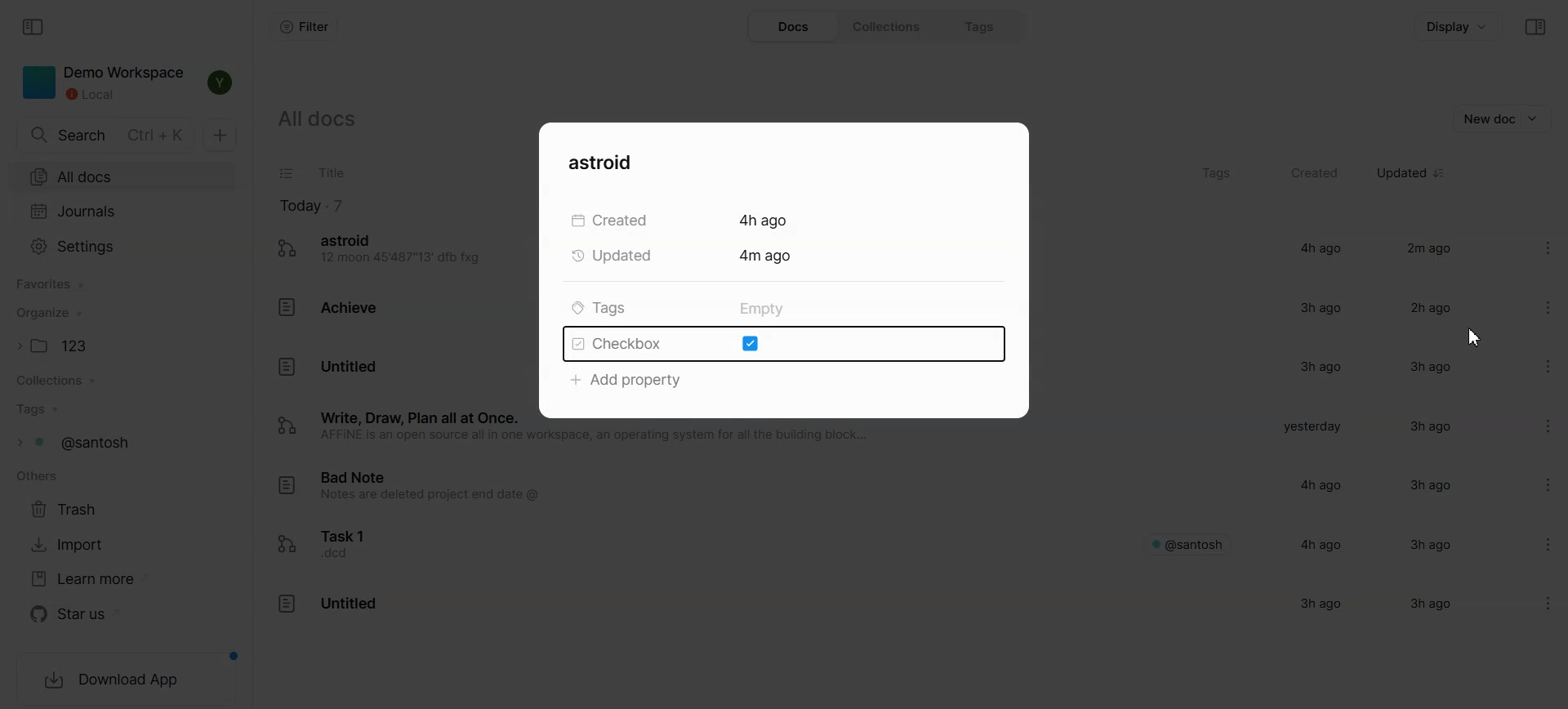 The width and height of the screenshot is (1568, 709). I want to click on Settings, so click(1532, 360).